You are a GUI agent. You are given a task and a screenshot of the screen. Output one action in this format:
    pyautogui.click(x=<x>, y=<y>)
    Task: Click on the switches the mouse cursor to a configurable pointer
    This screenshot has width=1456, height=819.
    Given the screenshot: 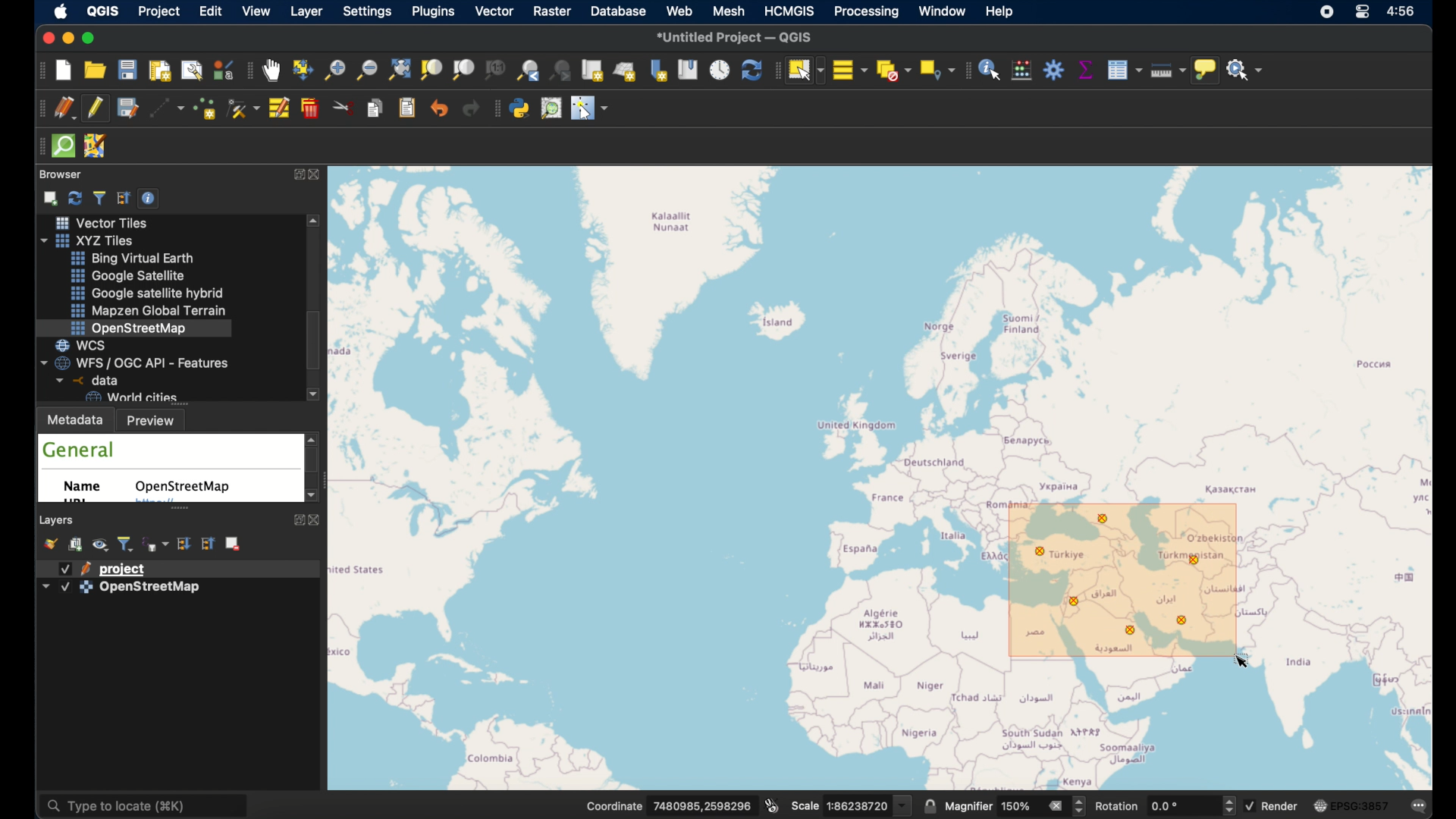 What is the action you would take?
    pyautogui.click(x=590, y=108)
    